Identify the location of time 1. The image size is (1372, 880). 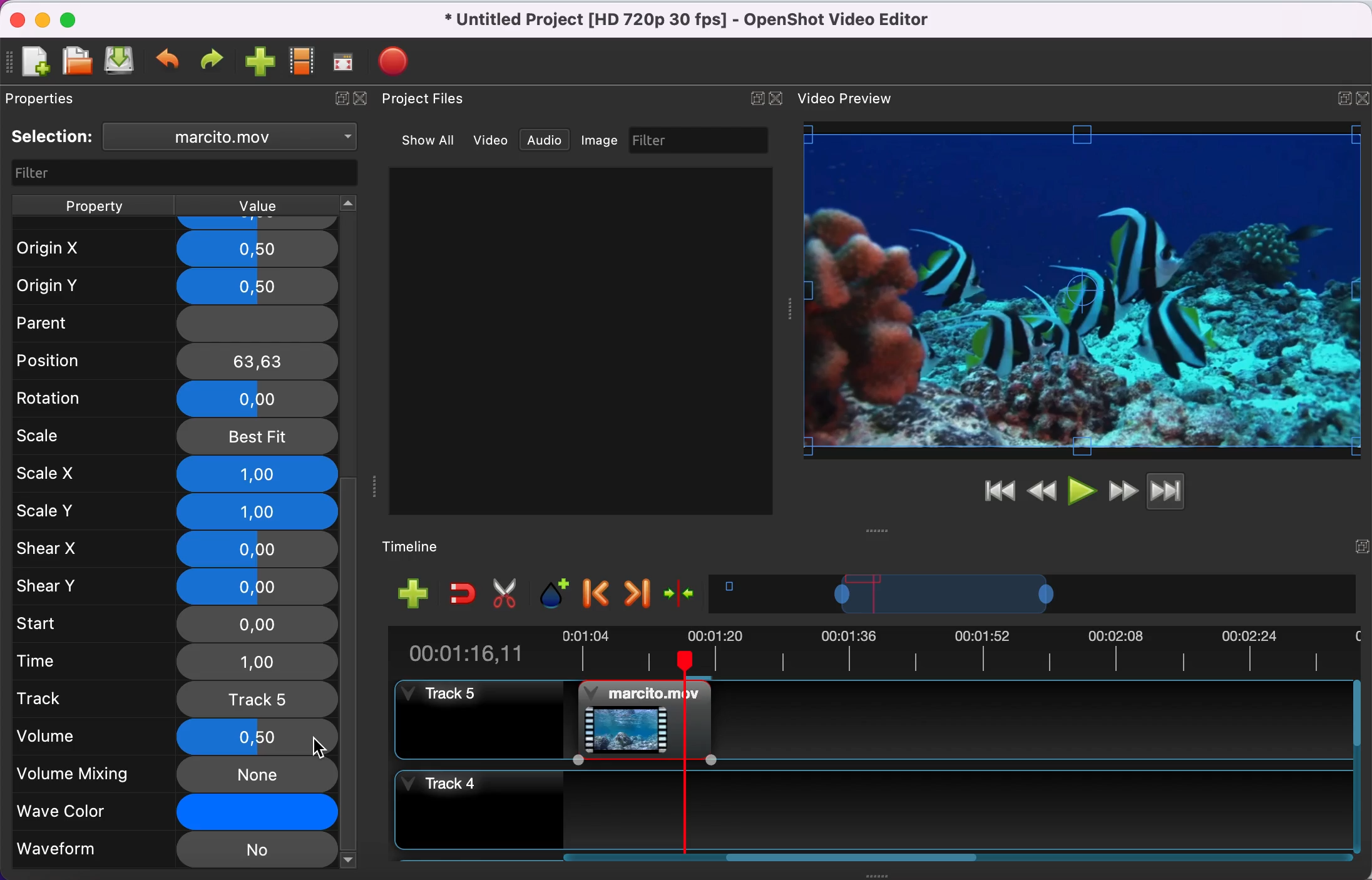
(176, 661).